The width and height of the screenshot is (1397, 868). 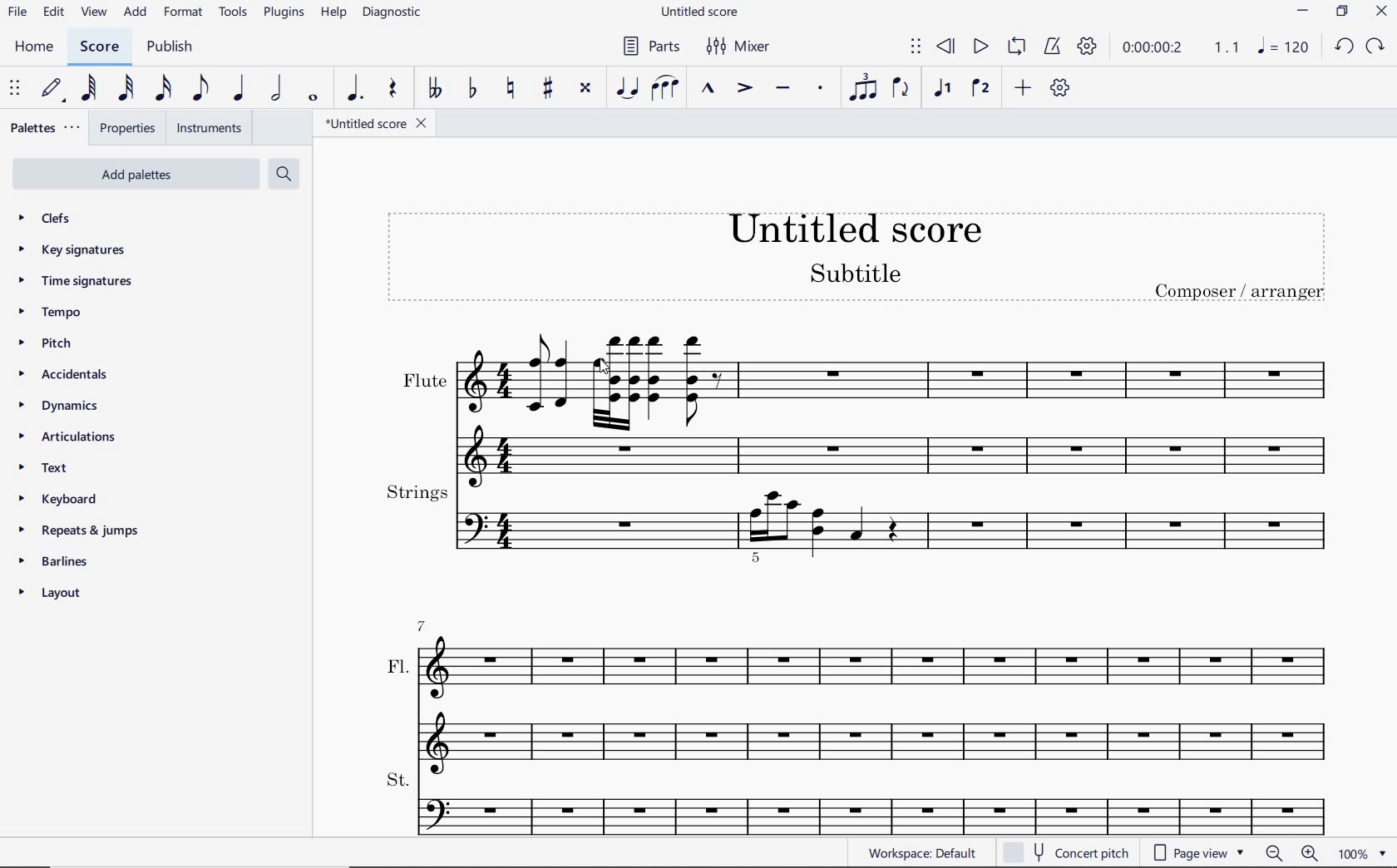 I want to click on search palettes, so click(x=286, y=173).